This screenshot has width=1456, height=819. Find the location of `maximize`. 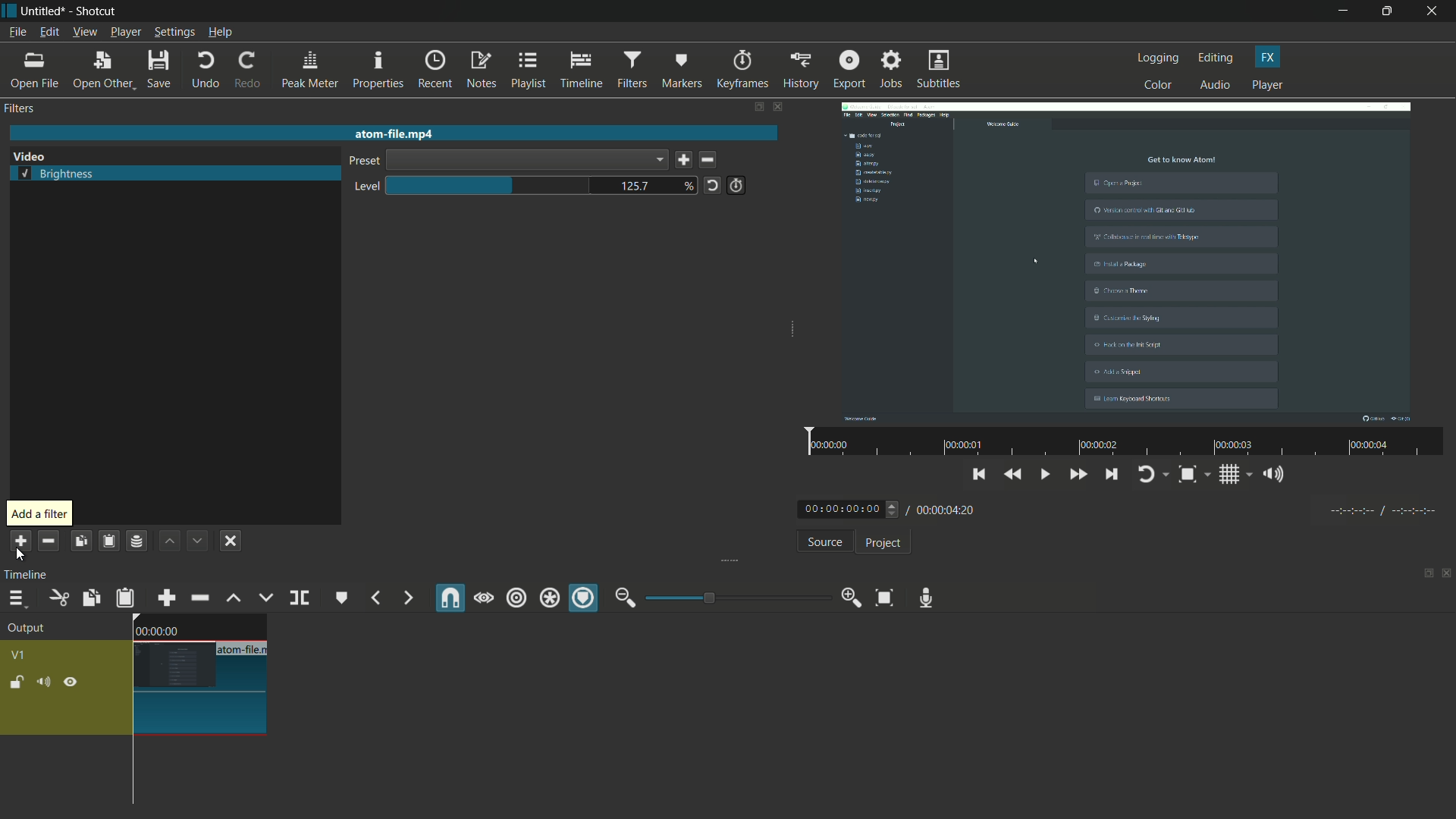

maximize is located at coordinates (1389, 11).